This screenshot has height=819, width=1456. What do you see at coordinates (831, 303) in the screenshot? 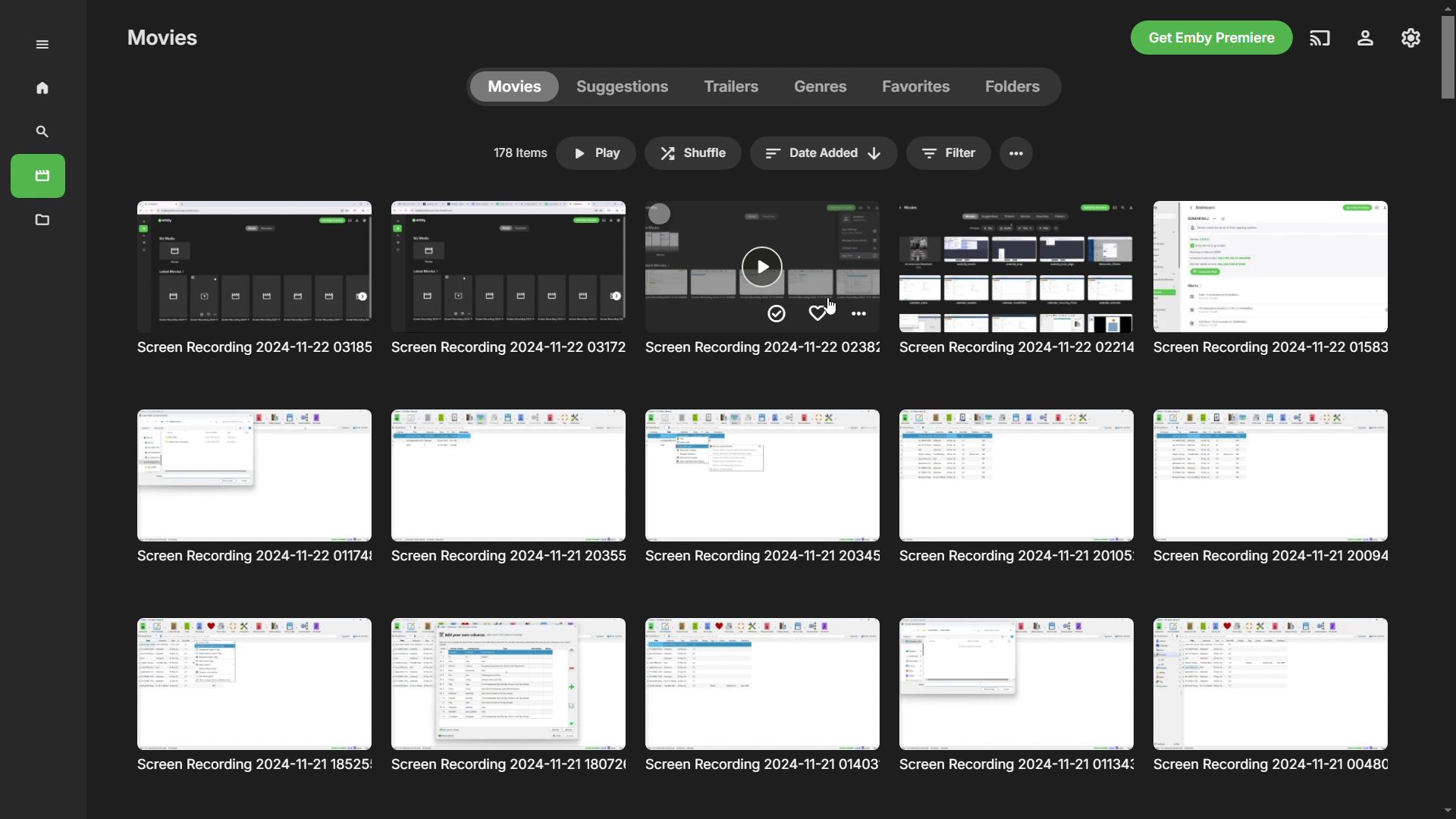
I see `cursor` at bounding box center [831, 303].